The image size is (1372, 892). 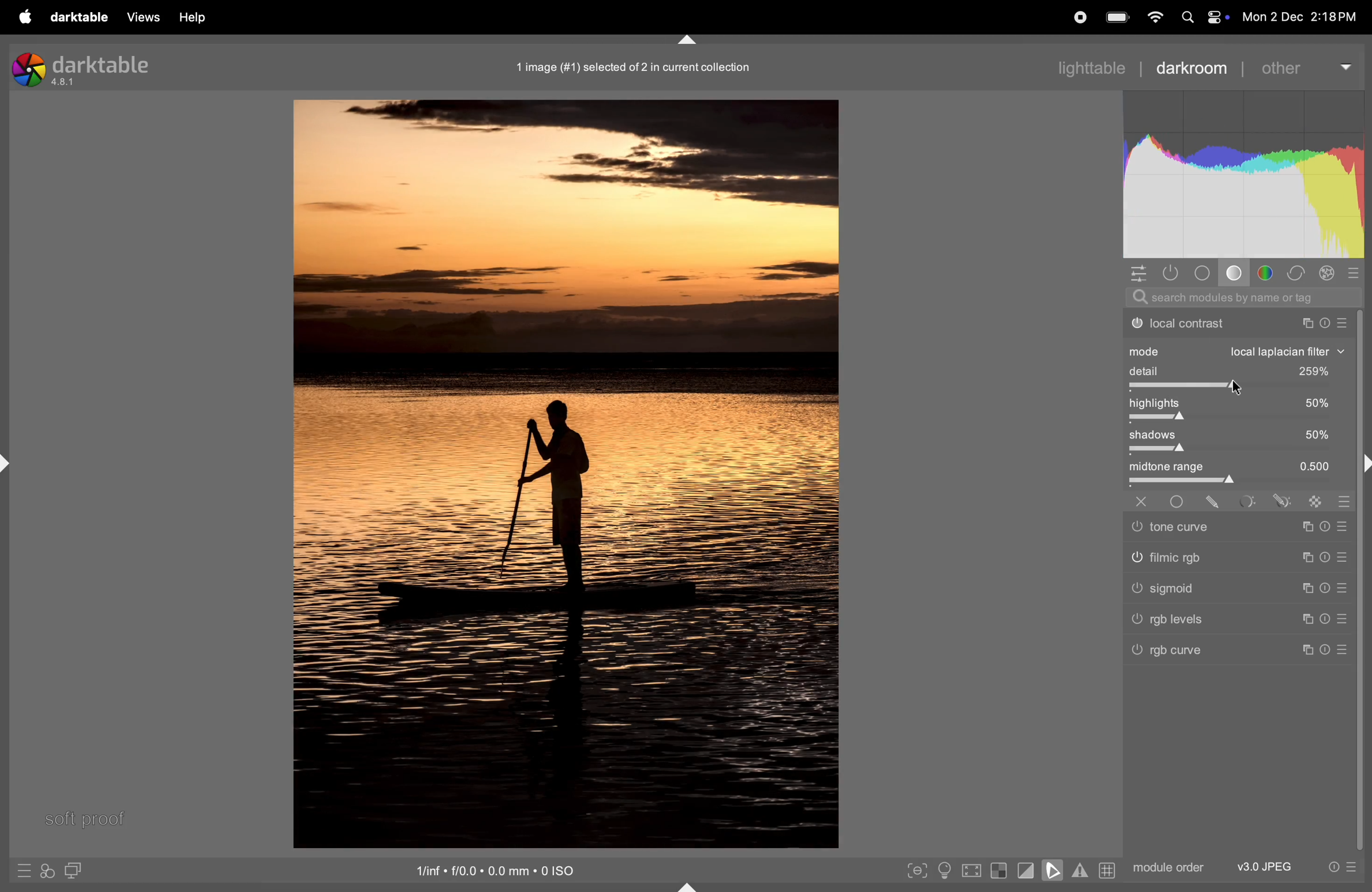 I want to click on shadows, so click(x=1235, y=435).